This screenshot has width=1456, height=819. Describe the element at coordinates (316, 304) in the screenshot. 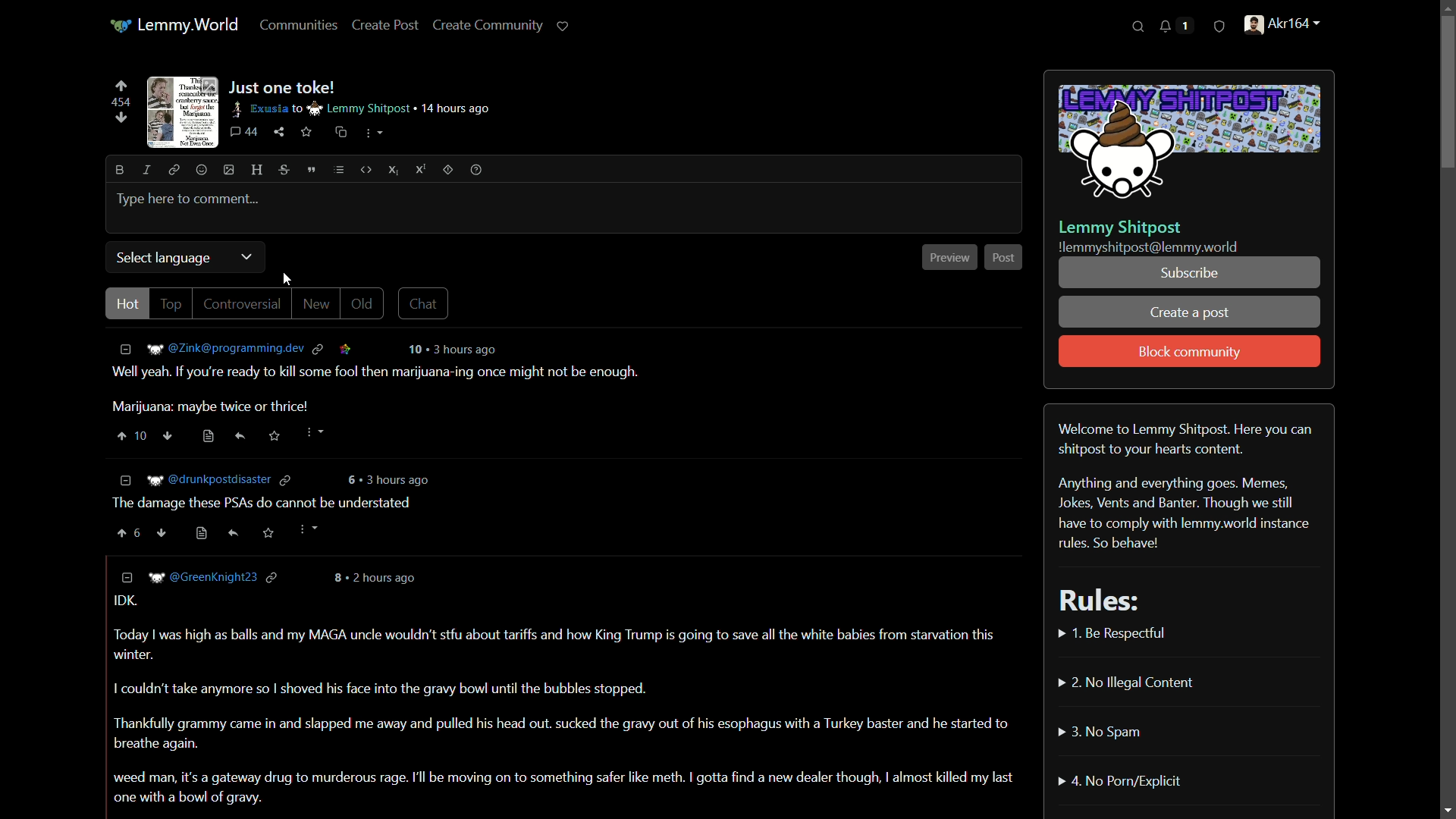

I see `new` at that location.